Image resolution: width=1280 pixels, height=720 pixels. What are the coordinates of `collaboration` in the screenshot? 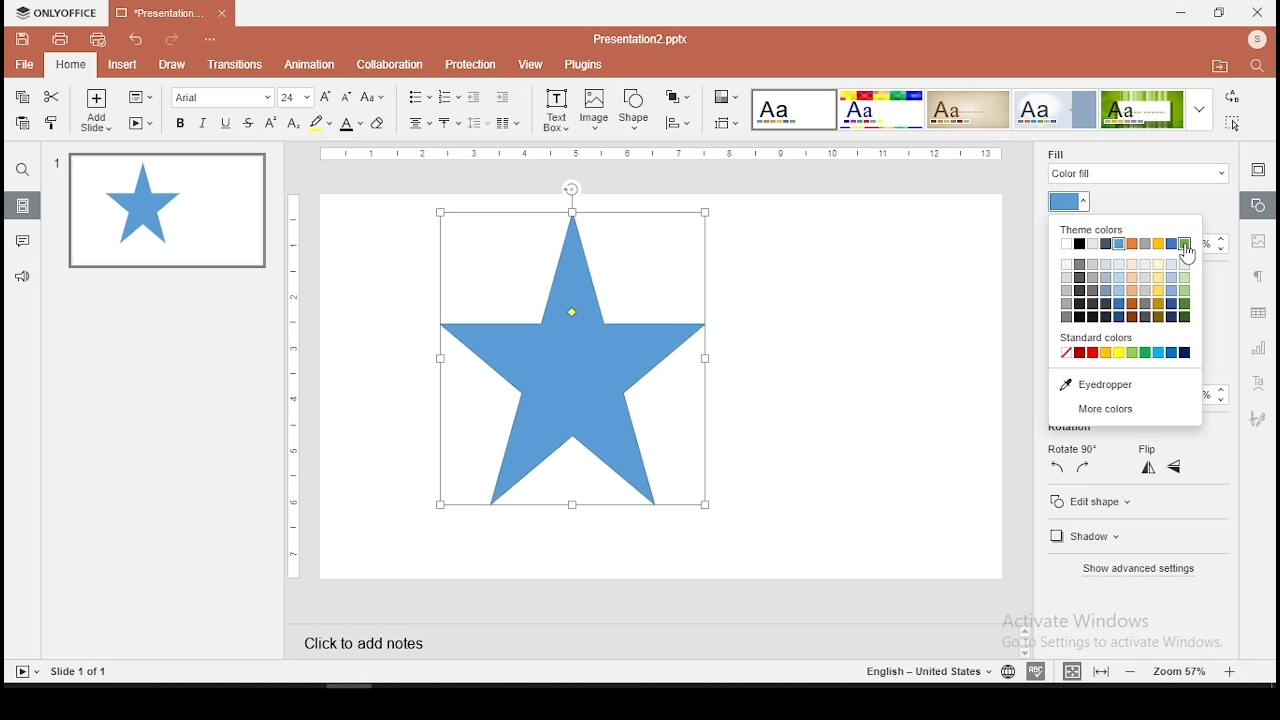 It's located at (389, 64).